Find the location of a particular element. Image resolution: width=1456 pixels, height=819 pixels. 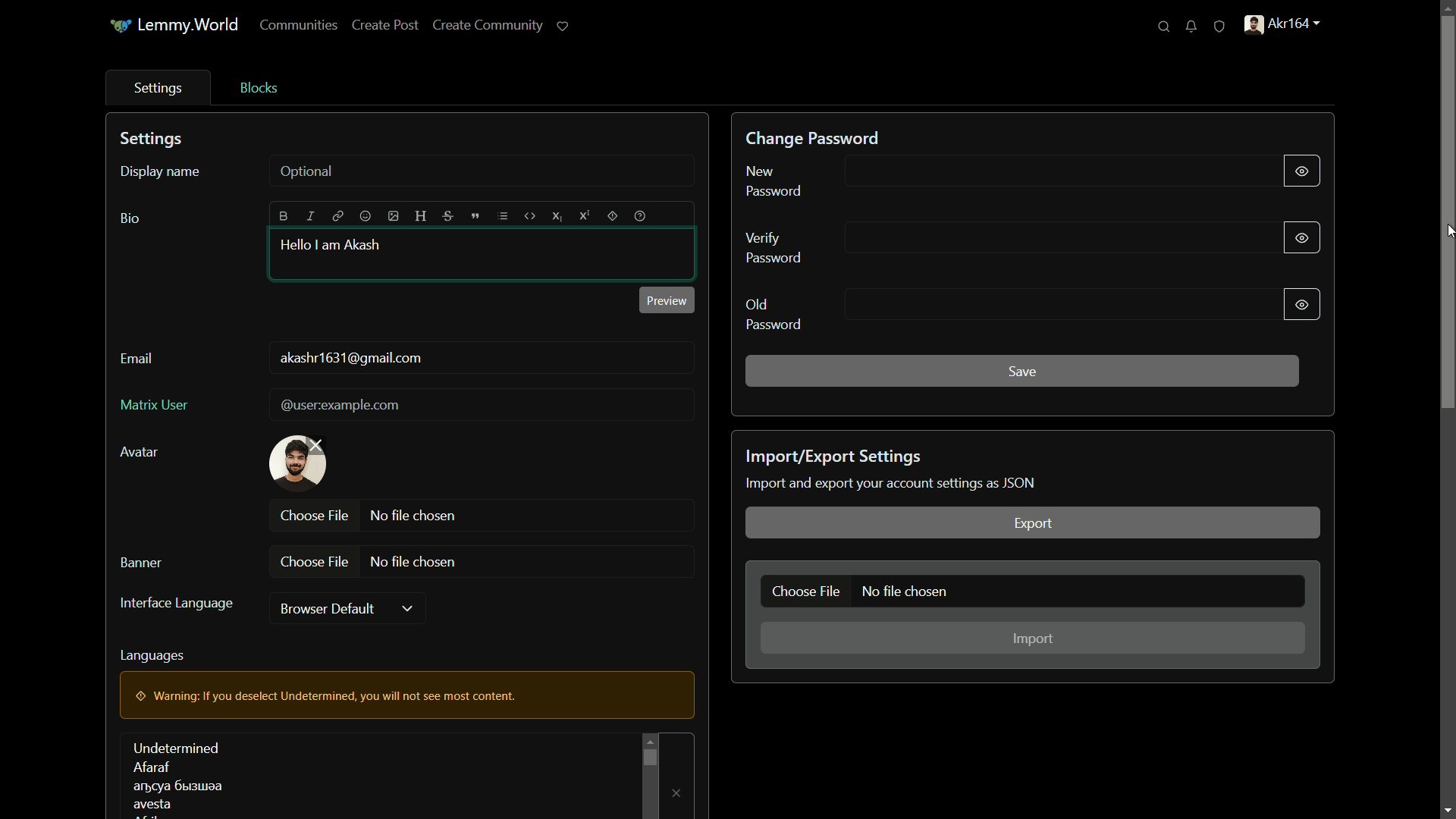

link is located at coordinates (339, 215).